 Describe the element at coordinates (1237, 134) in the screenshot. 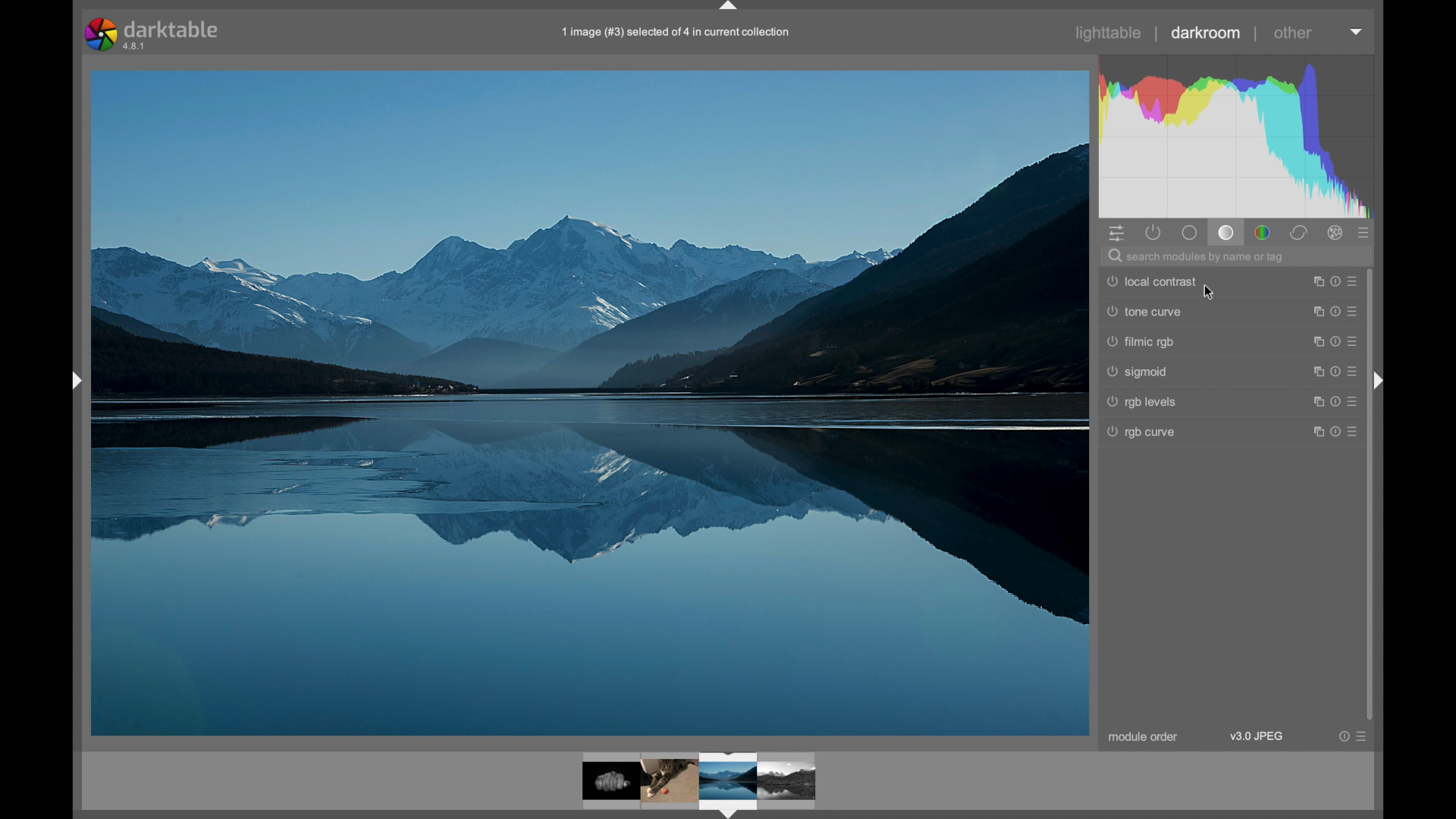

I see `histogram` at that location.